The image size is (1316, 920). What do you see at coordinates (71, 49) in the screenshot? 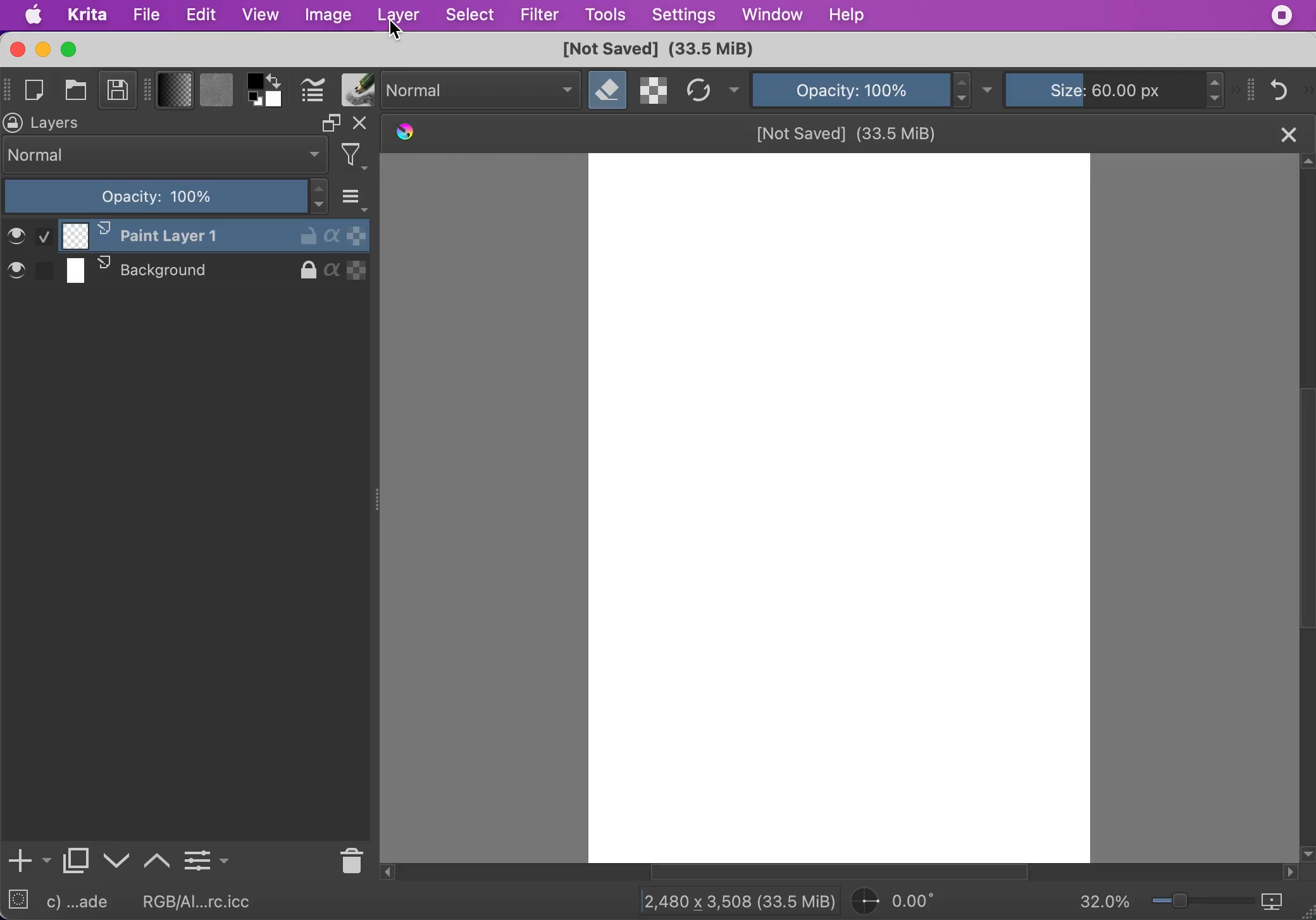
I see `maximize` at bounding box center [71, 49].